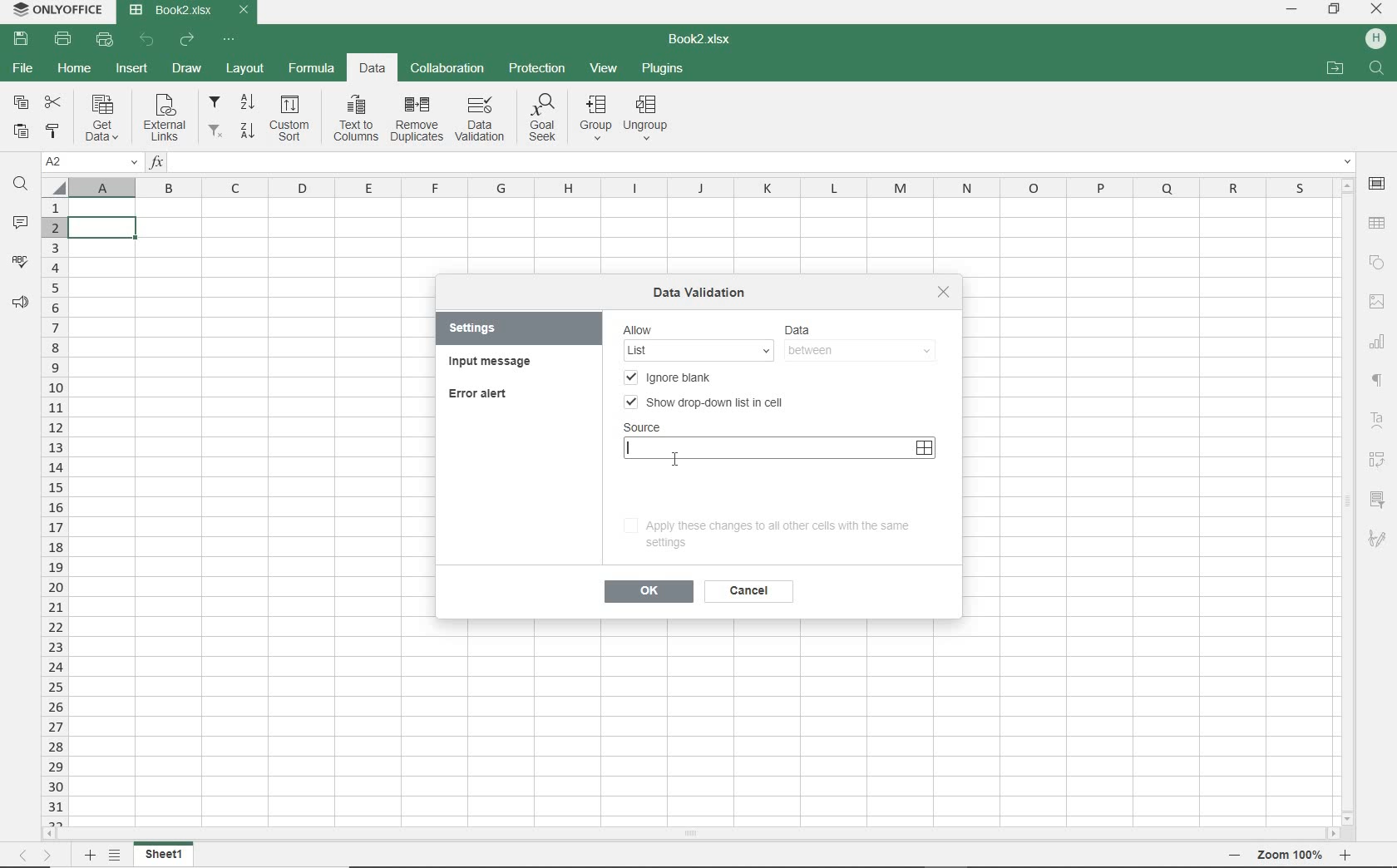 This screenshot has width=1397, height=868. I want to click on ok, so click(649, 591).